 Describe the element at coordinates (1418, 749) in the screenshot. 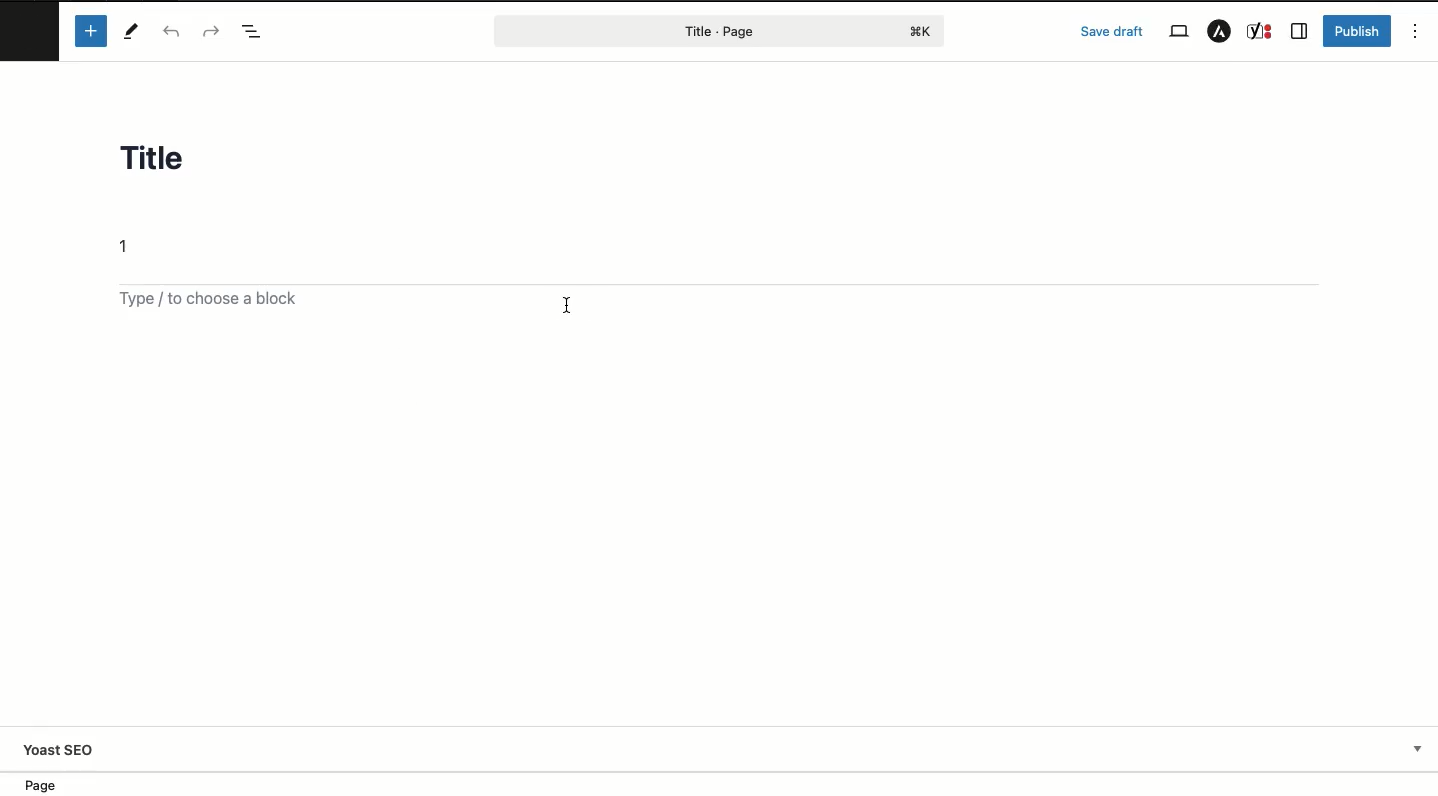

I see `Drop-down ` at that location.